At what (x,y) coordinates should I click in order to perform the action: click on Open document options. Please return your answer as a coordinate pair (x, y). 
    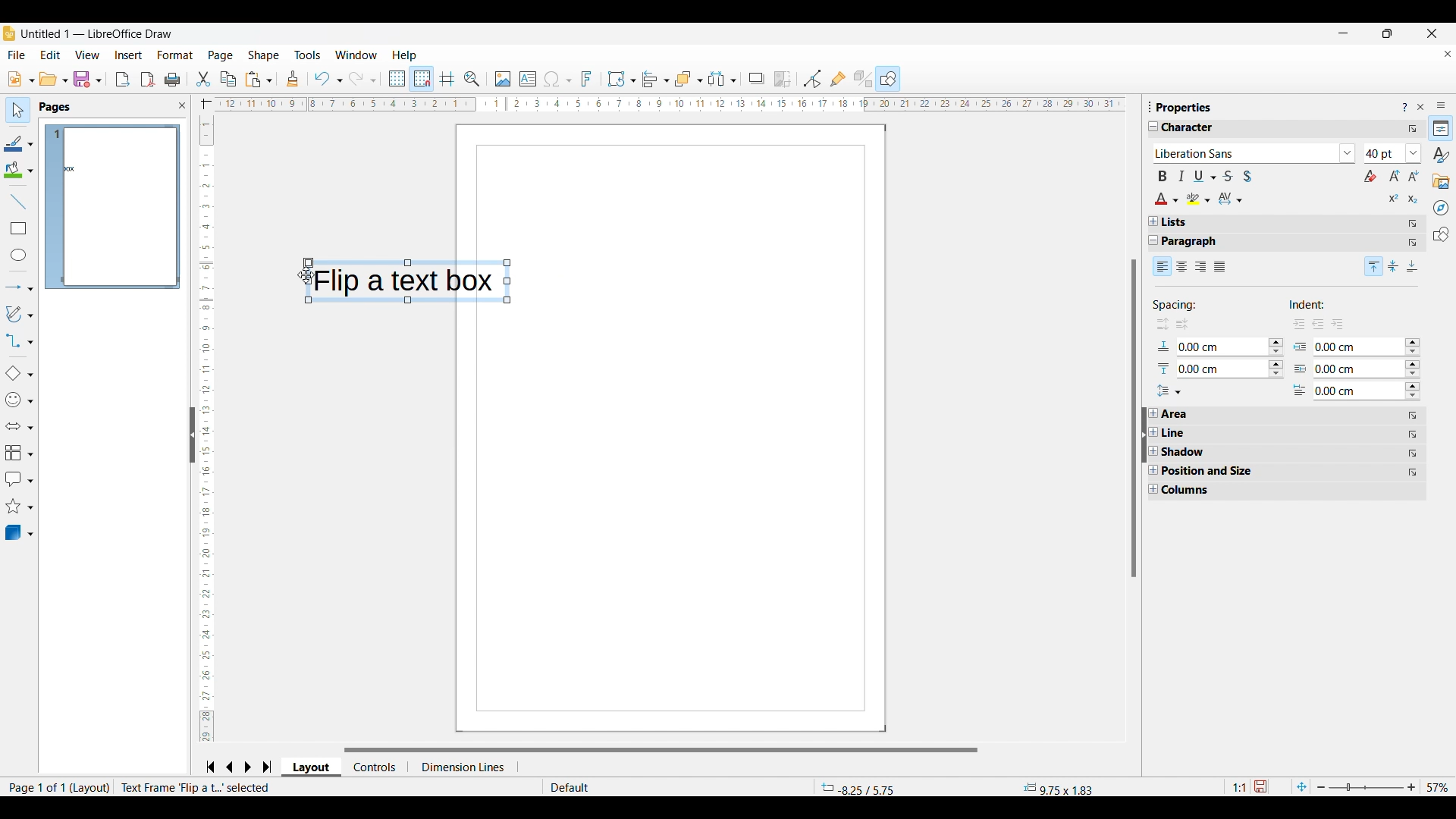
    Looking at the image, I should click on (54, 78).